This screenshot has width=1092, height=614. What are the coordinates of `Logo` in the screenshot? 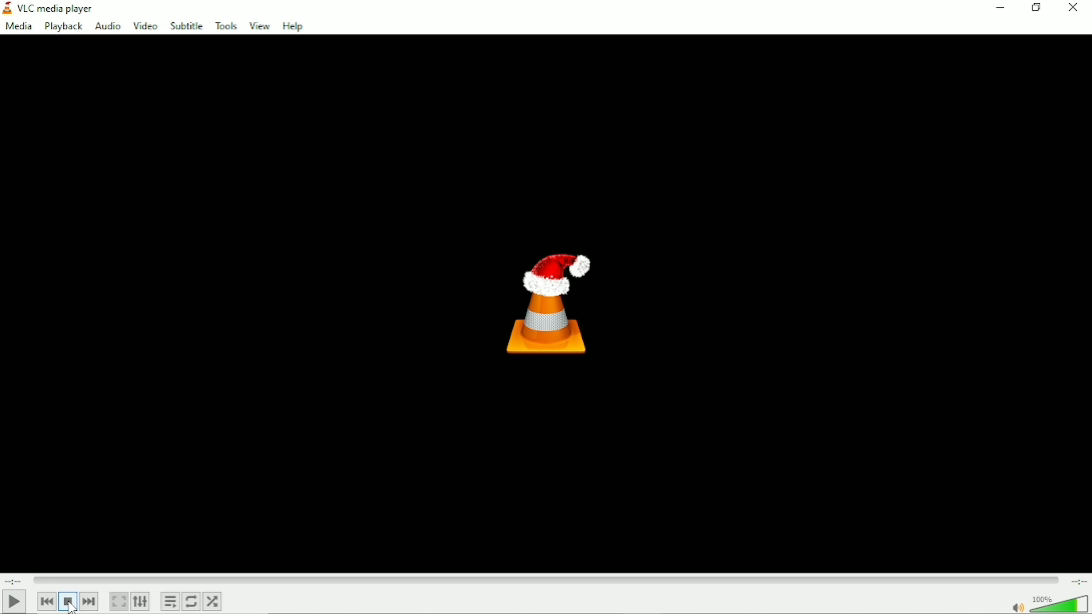 It's located at (549, 305).